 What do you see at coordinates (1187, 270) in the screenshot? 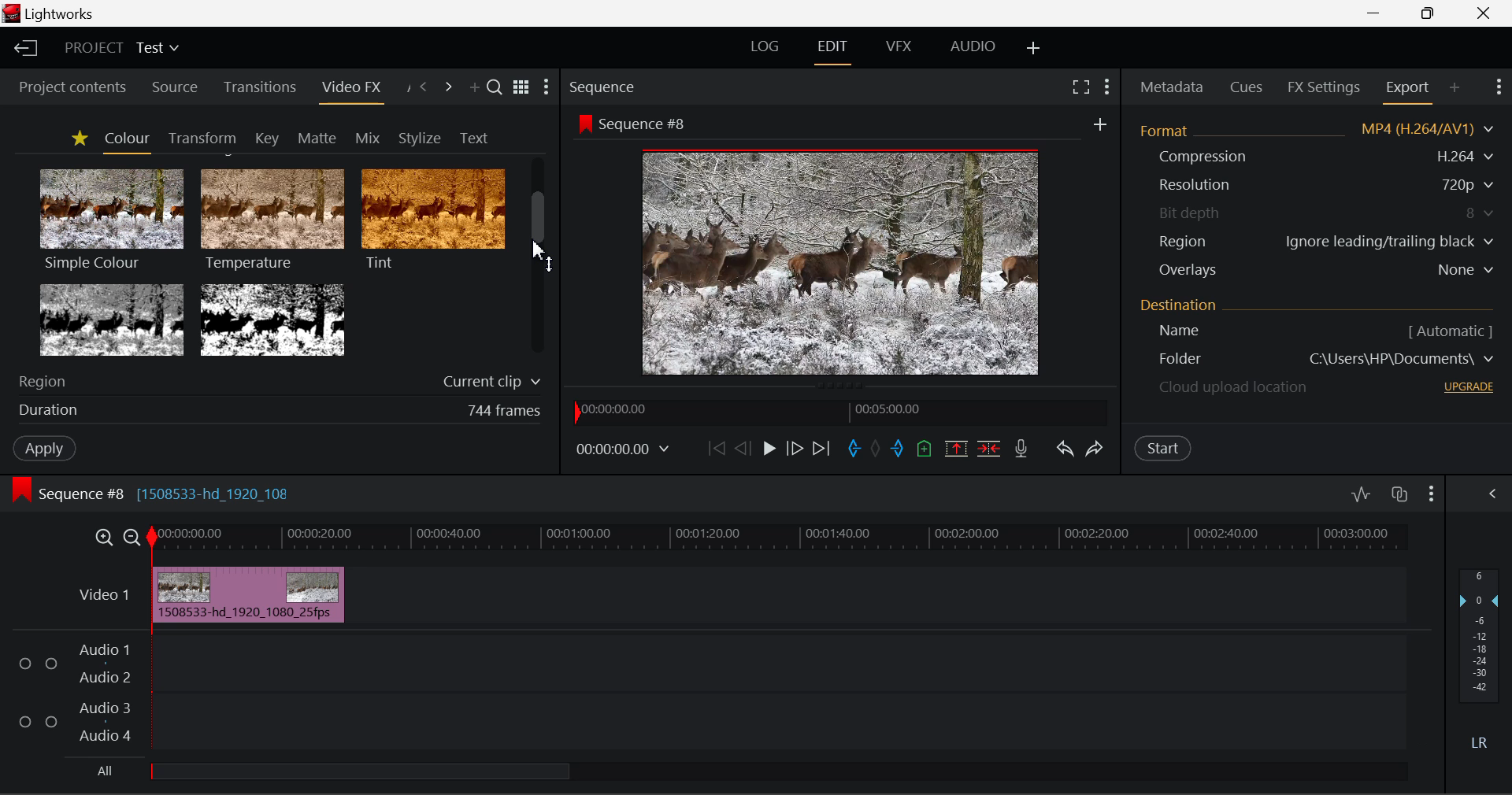
I see `Overlays` at bounding box center [1187, 270].